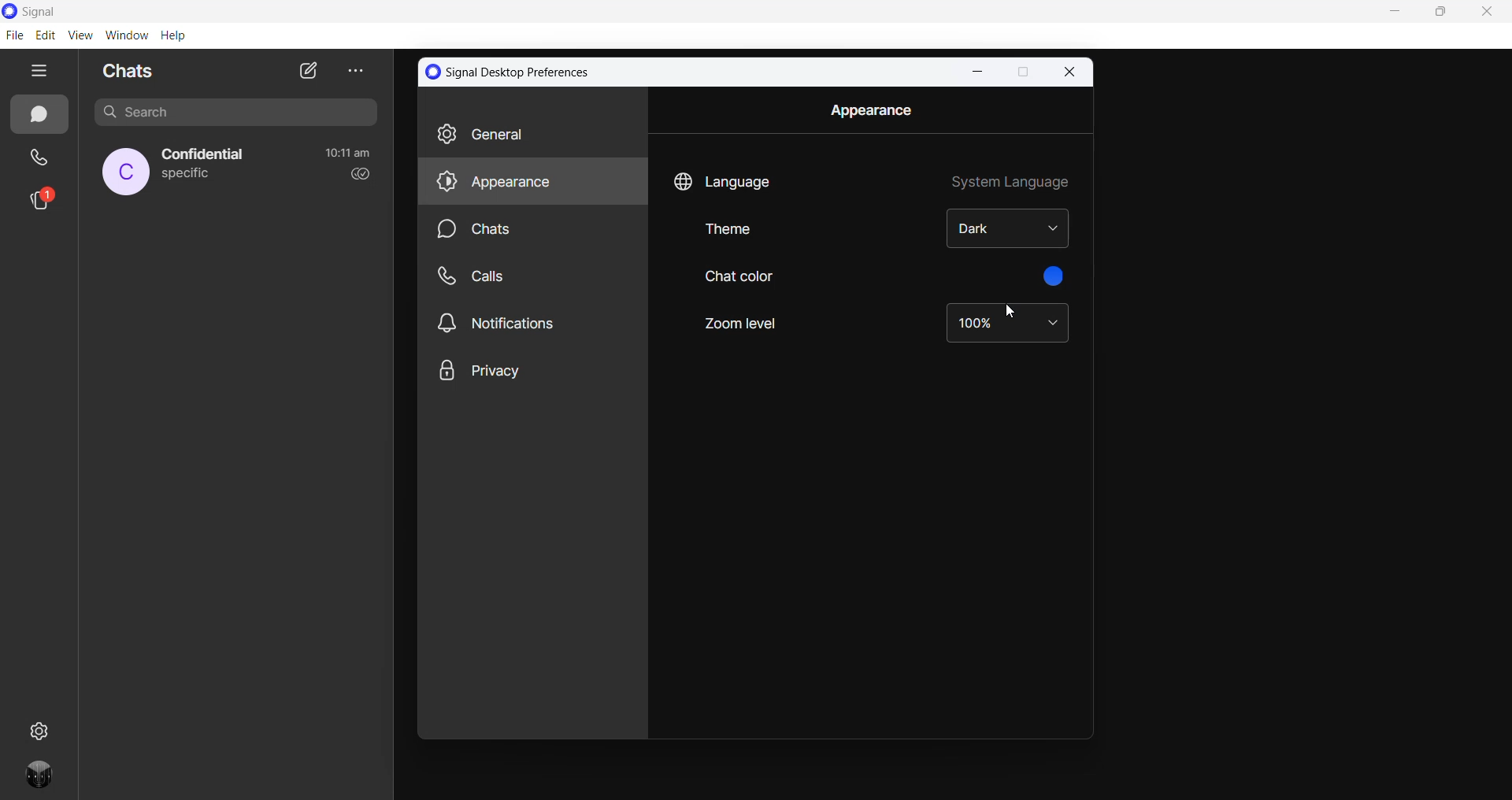 The width and height of the screenshot is (1512, 800). I want to click on chat color, so click(740, 278).